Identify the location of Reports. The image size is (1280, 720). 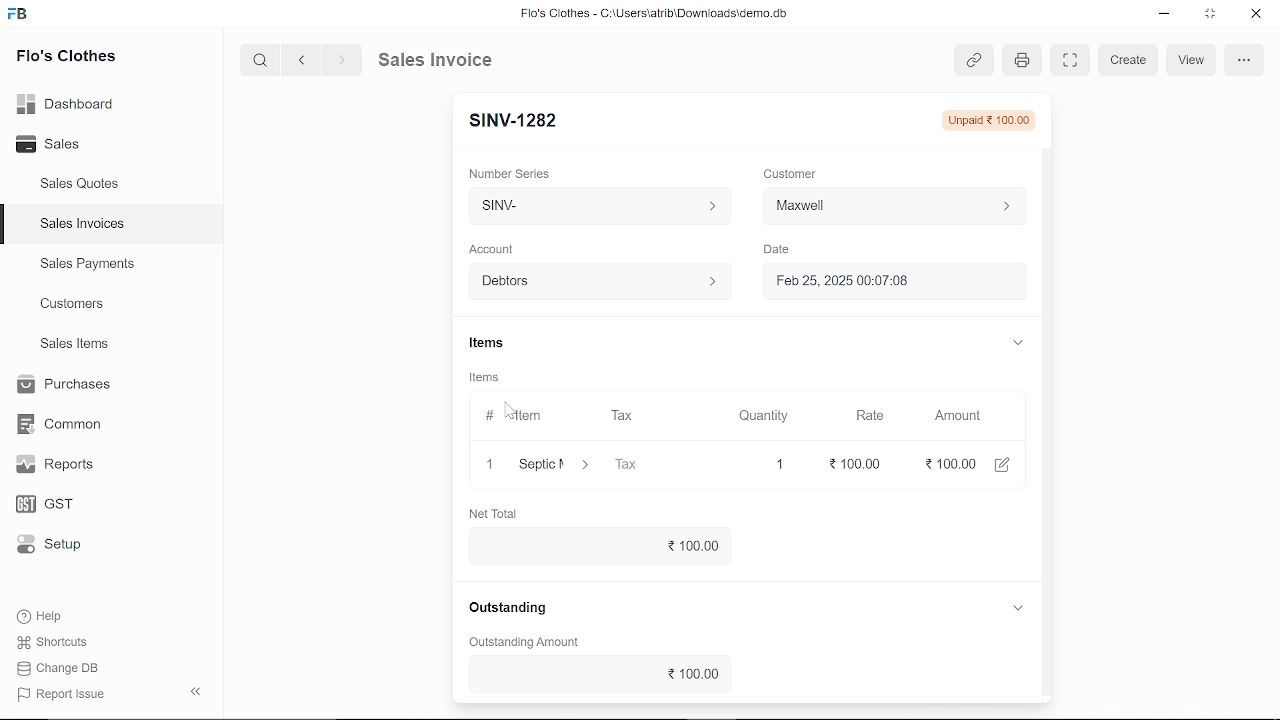
(60, 465).